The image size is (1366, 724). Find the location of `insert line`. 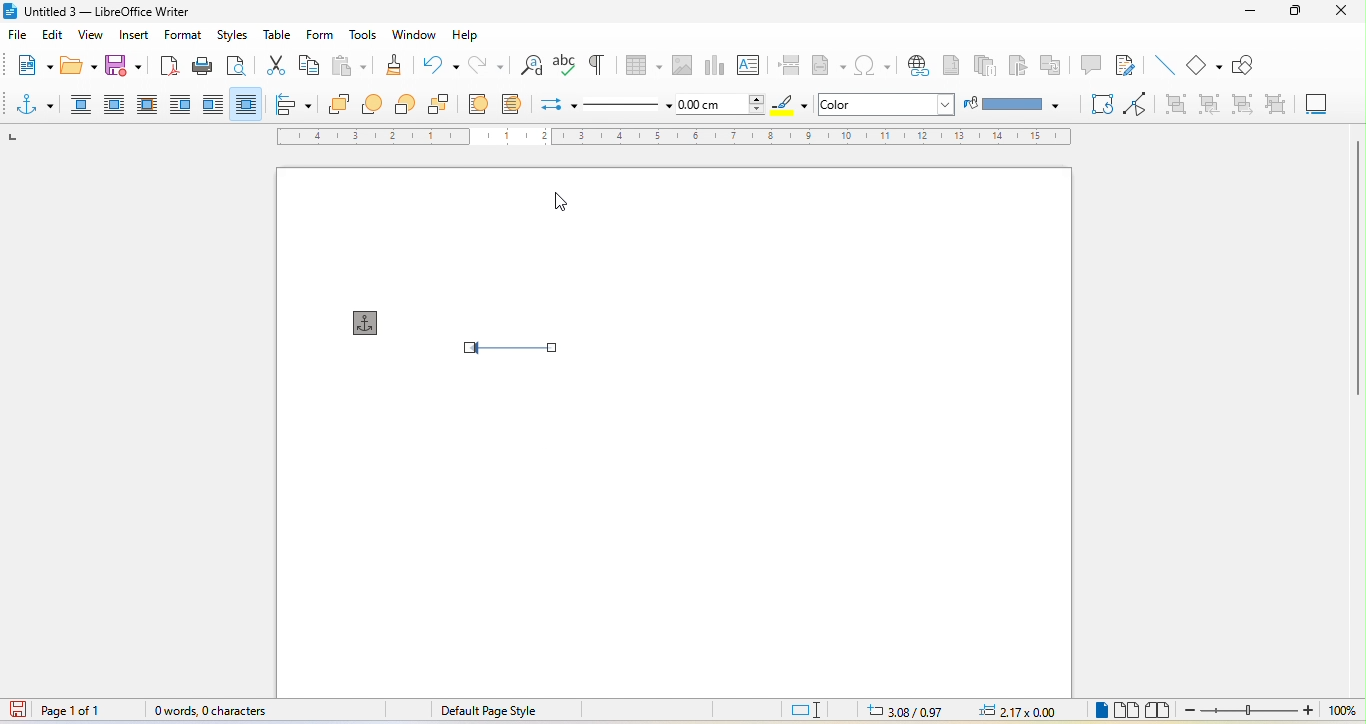

insert line is located at coordinates (1166, 66).